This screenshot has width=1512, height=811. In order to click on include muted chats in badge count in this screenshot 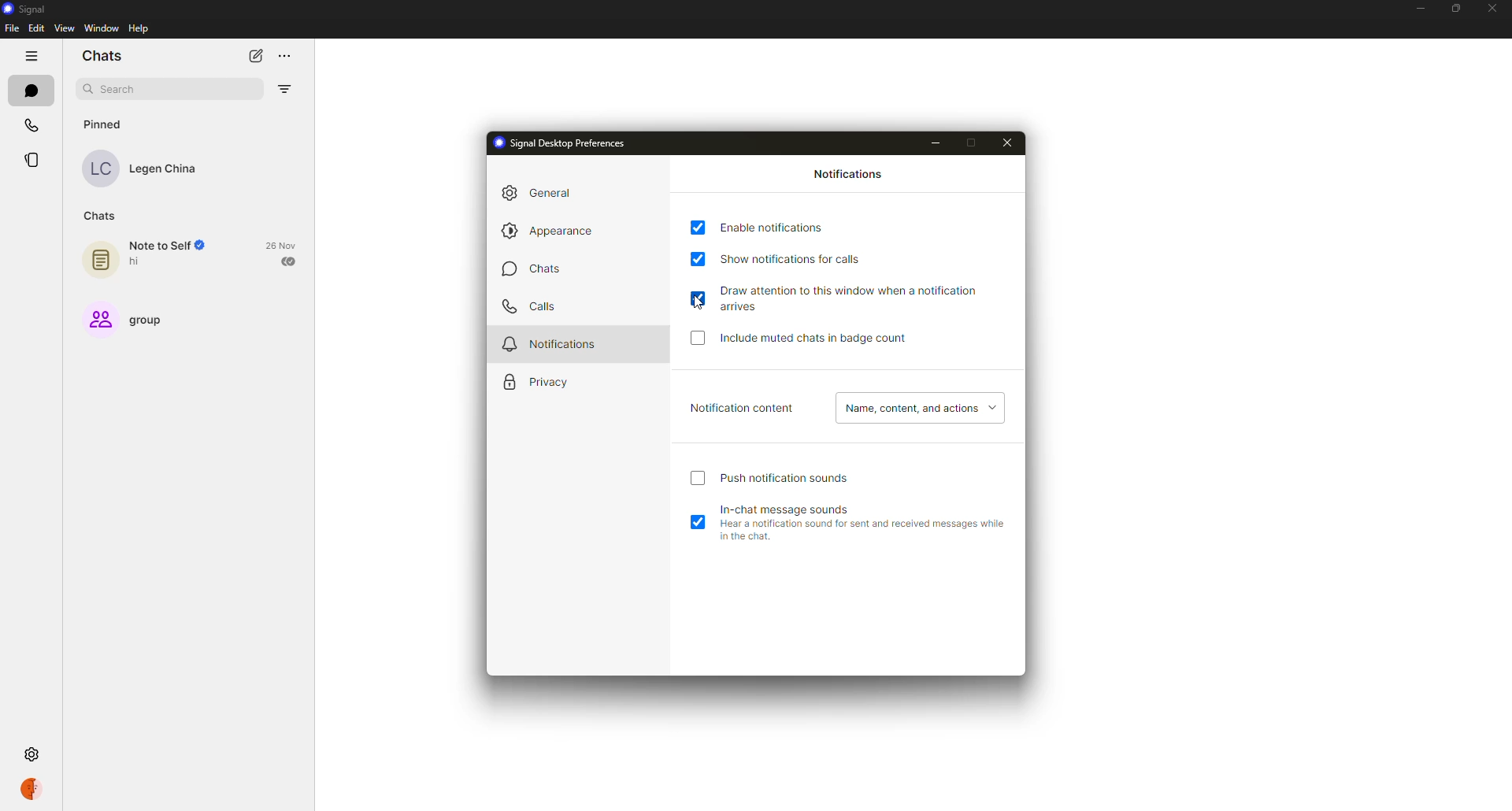, I will do `click(817, 339)`.